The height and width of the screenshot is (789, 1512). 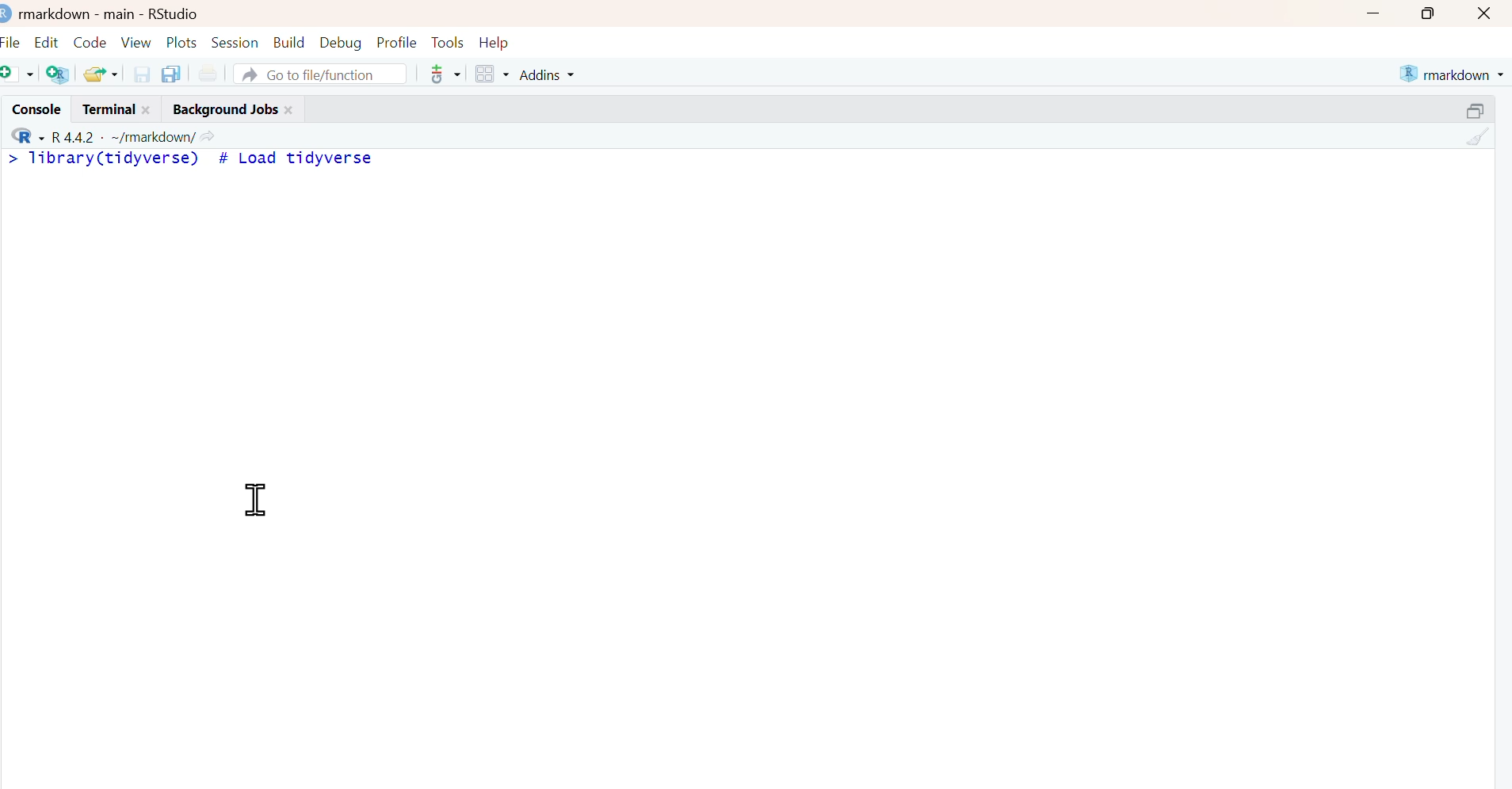 I want to click on Help, so click(x=499, y=41).